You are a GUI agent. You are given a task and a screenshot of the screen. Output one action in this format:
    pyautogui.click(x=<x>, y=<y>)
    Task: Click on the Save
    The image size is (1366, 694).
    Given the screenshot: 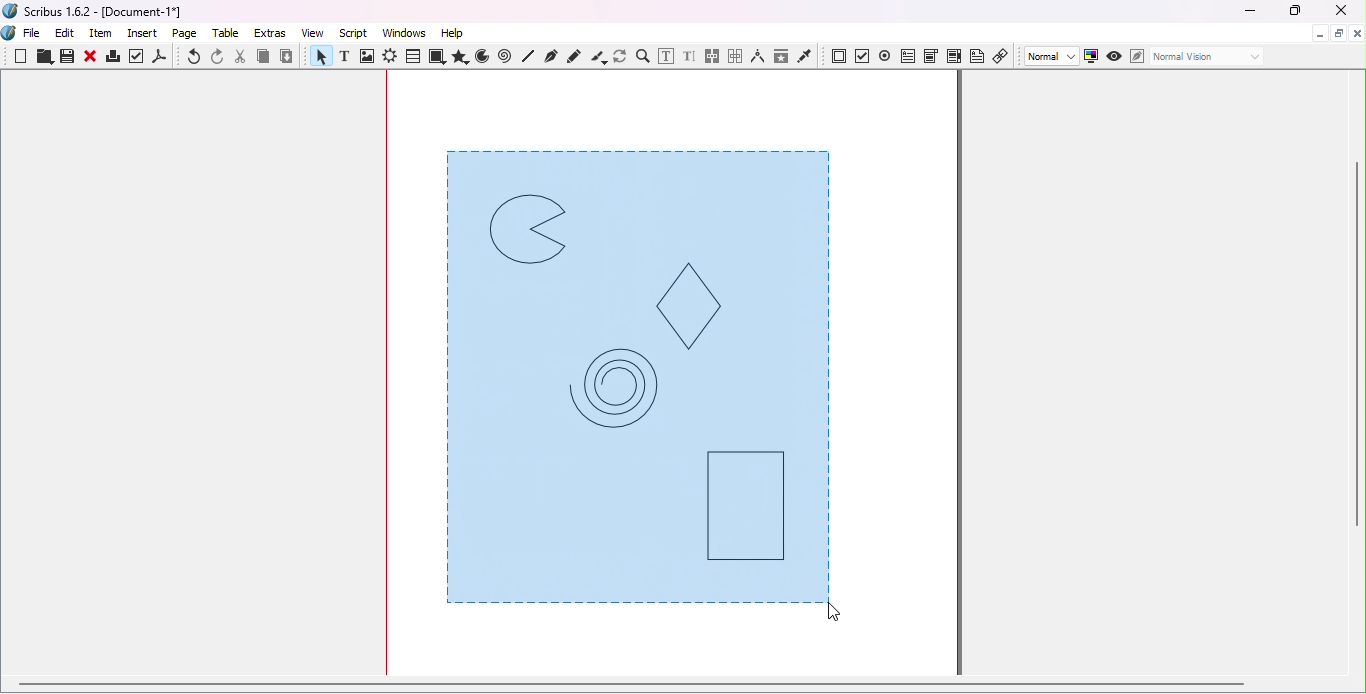 What is the action you would take?
    pyautogui.click(x=65, y=57)
    